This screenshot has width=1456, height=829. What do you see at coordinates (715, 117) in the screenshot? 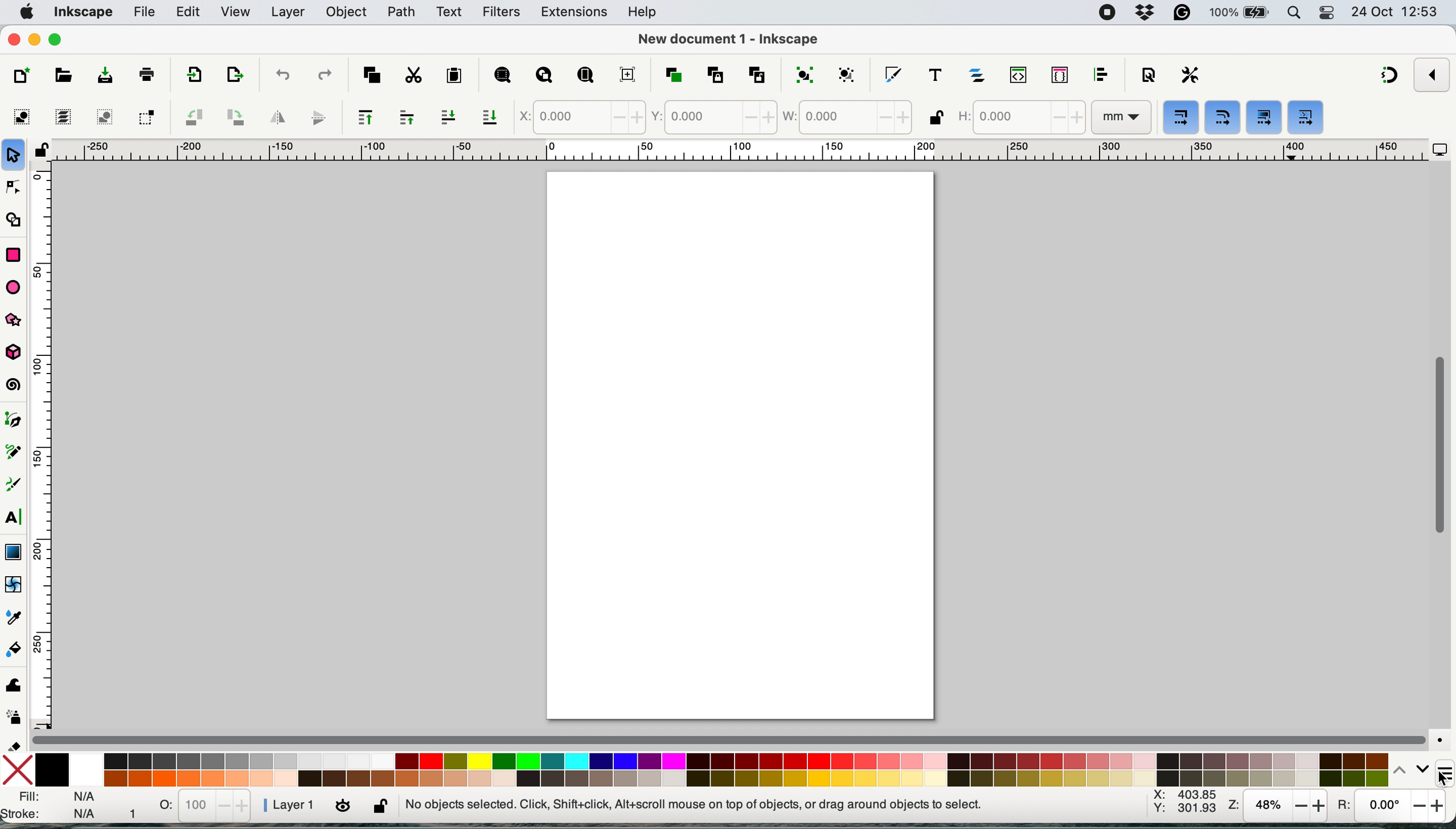
I see `y coordinate` at bounding box center [715, 117].